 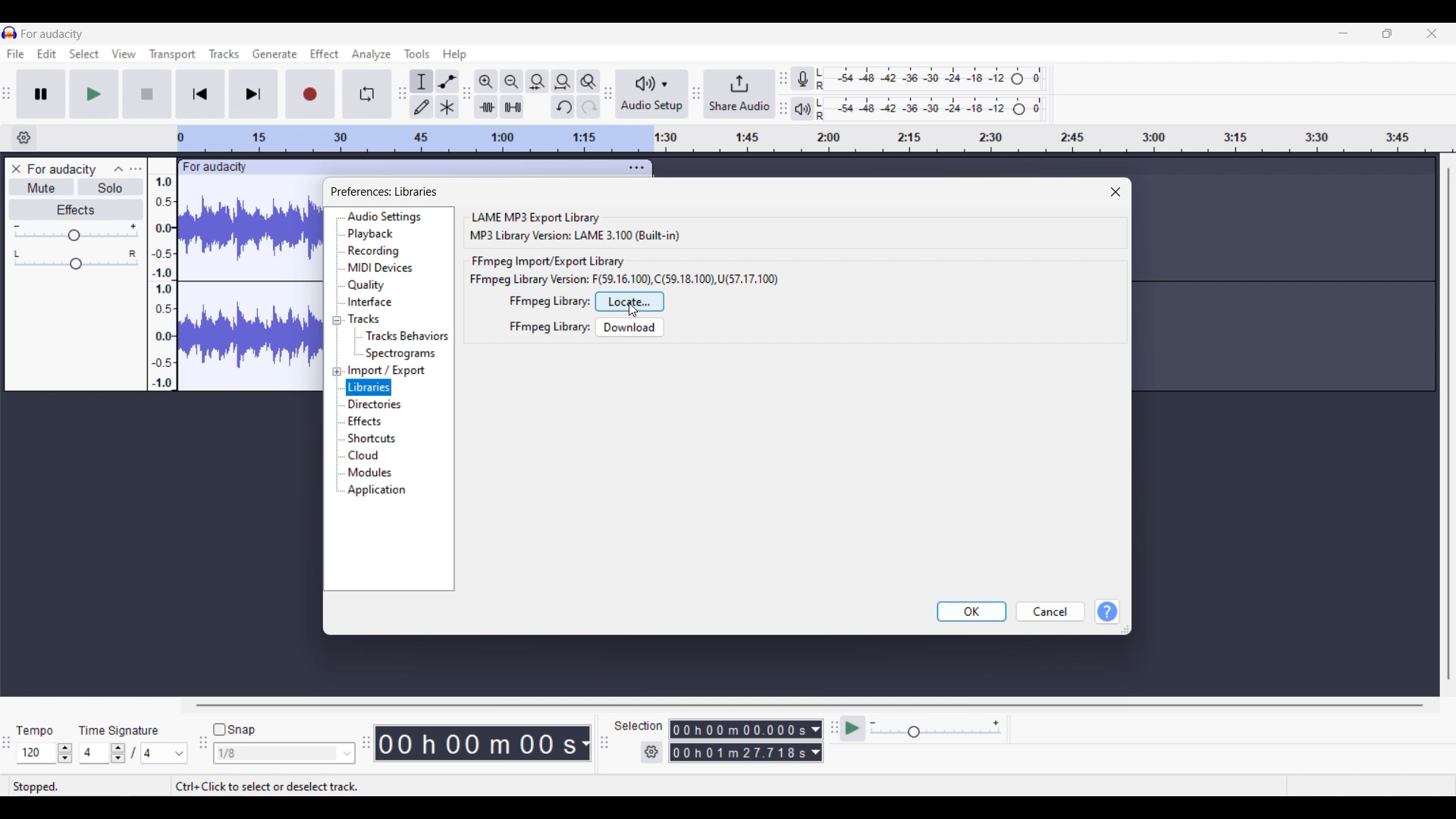 What do you see at coordinates (77, 259) in the screenshot?
I see `Pan slider` at bounding box center [77, 259].